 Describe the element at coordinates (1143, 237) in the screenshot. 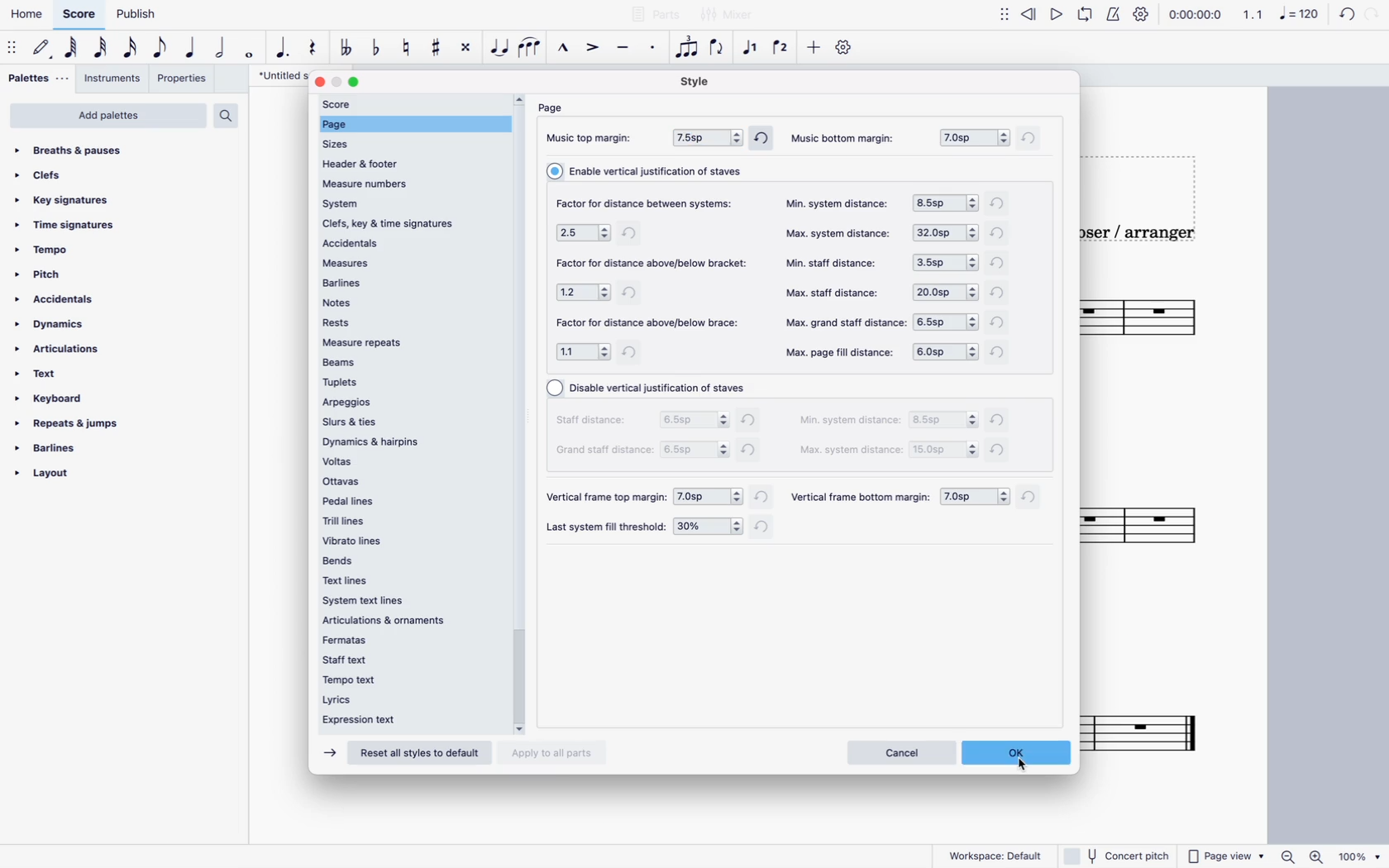

I see `composer / arranger` at that location.